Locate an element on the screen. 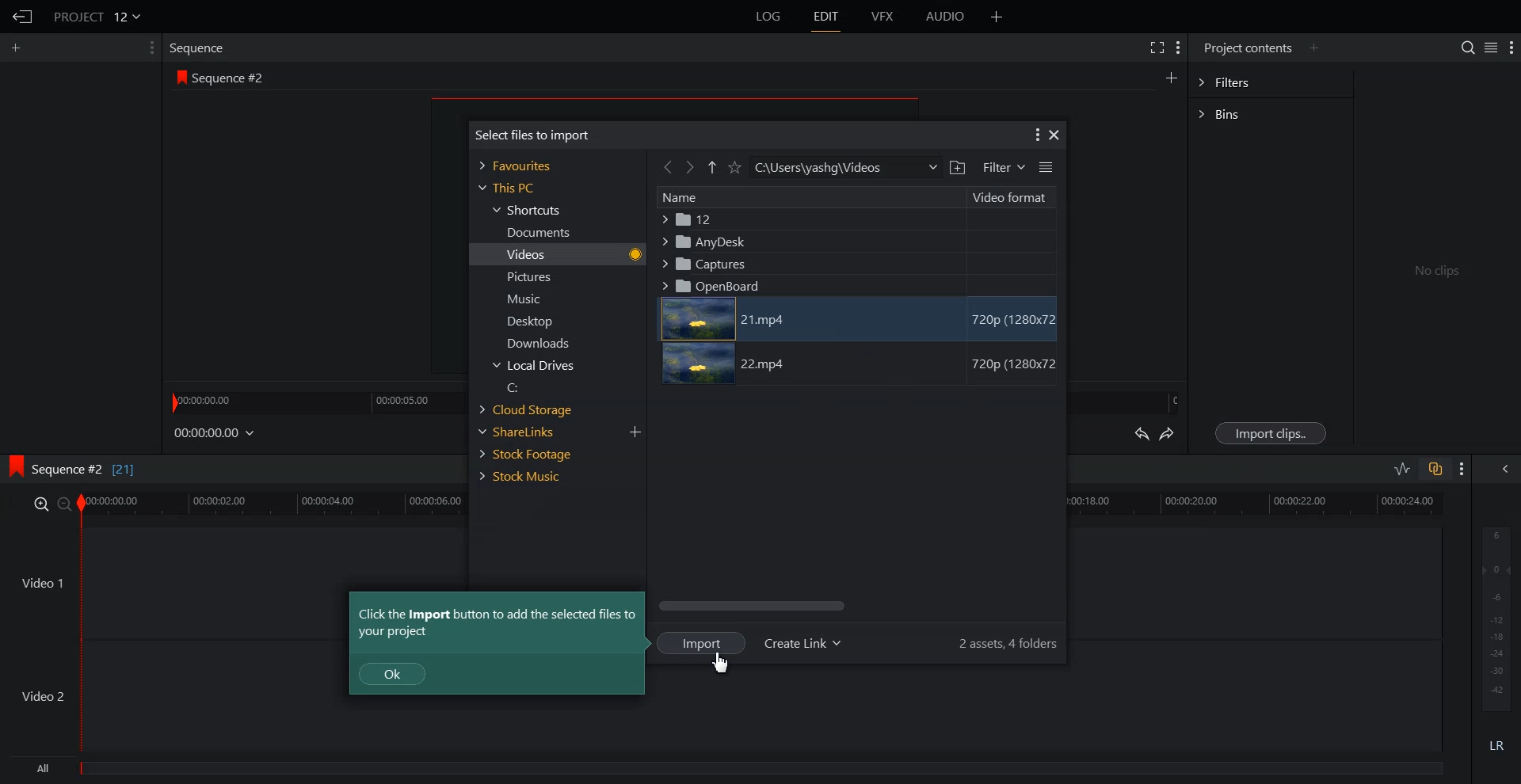  PROJECT 12 v is located at coordinates (98, 16).